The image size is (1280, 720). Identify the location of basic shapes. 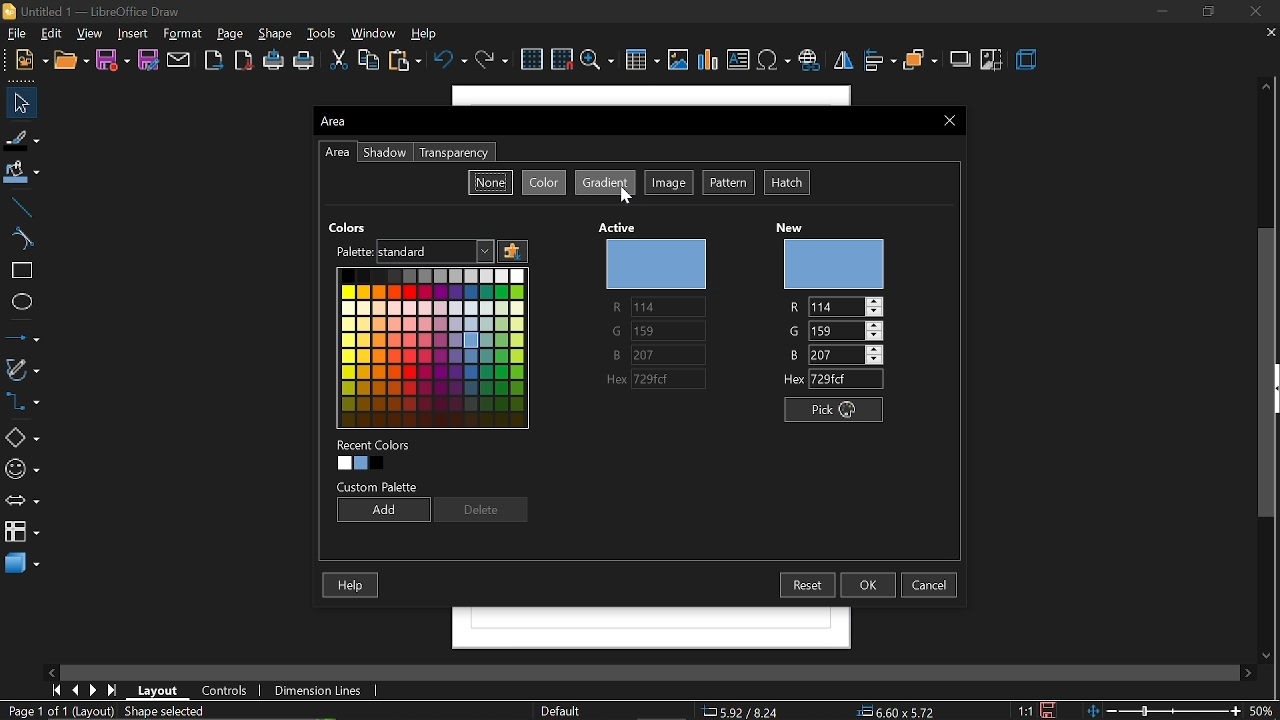
(22, 438).